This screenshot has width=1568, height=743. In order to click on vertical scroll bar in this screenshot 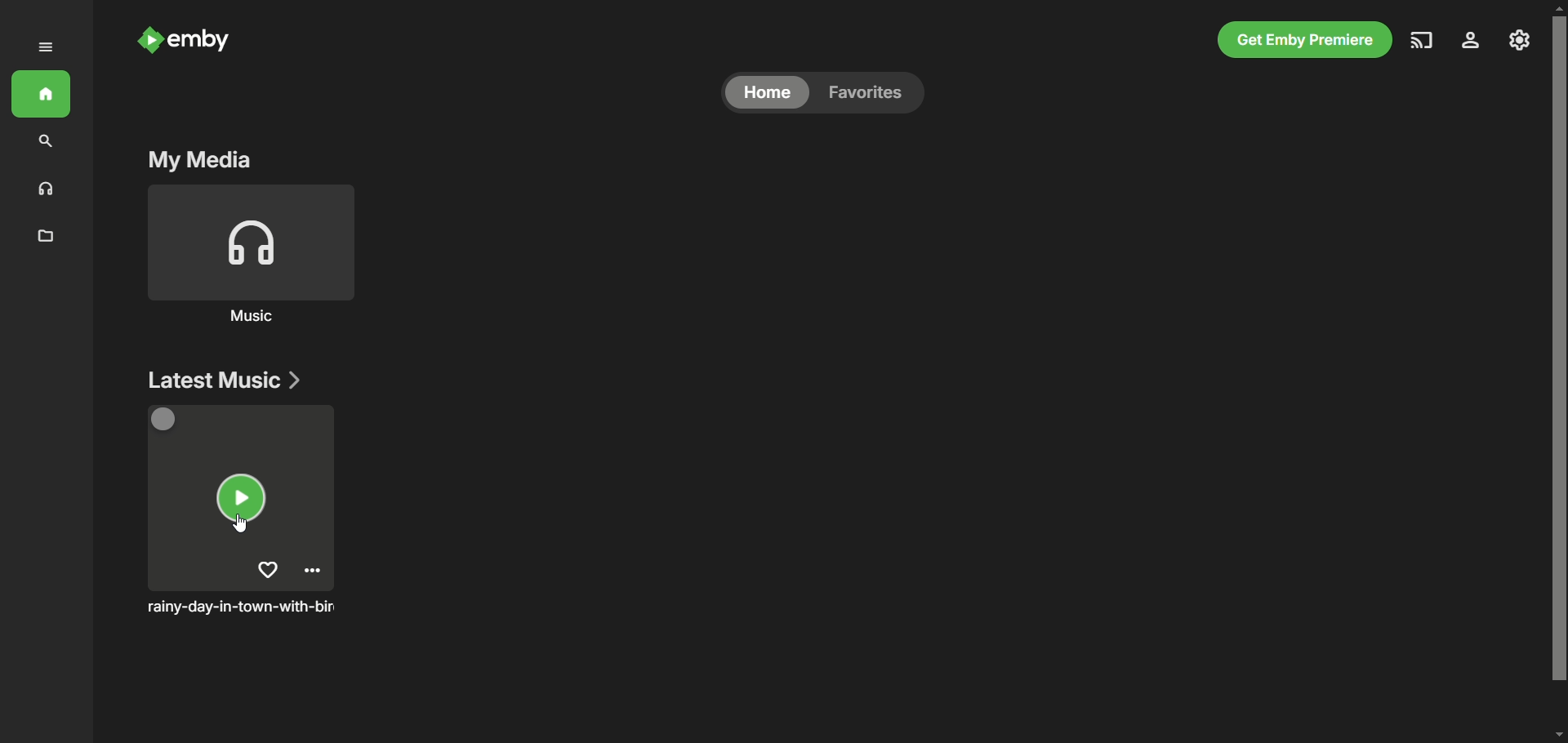, I will do `click(1558, 371)`.